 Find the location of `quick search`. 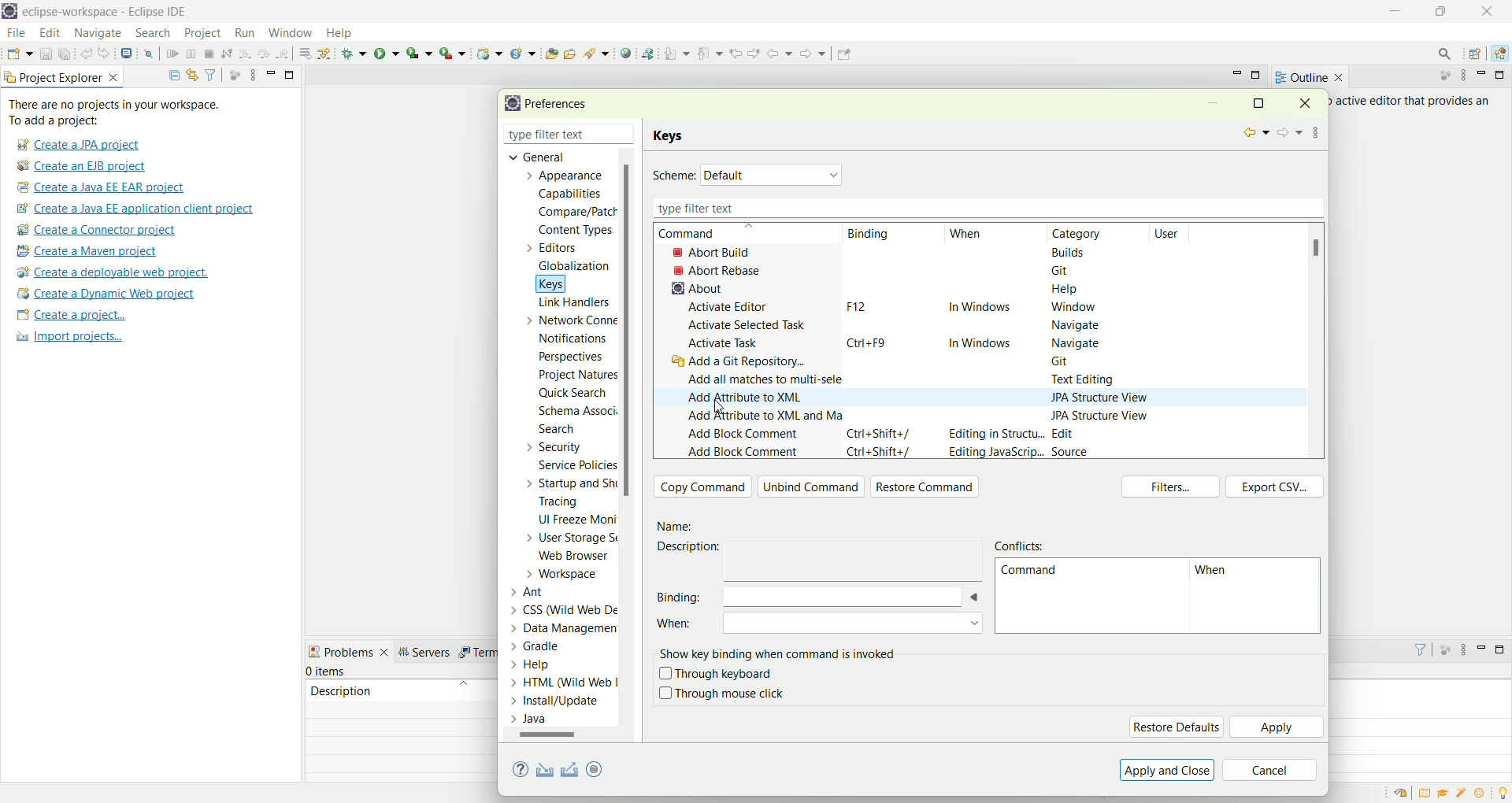

quick search is located at coordinates (573, 395).